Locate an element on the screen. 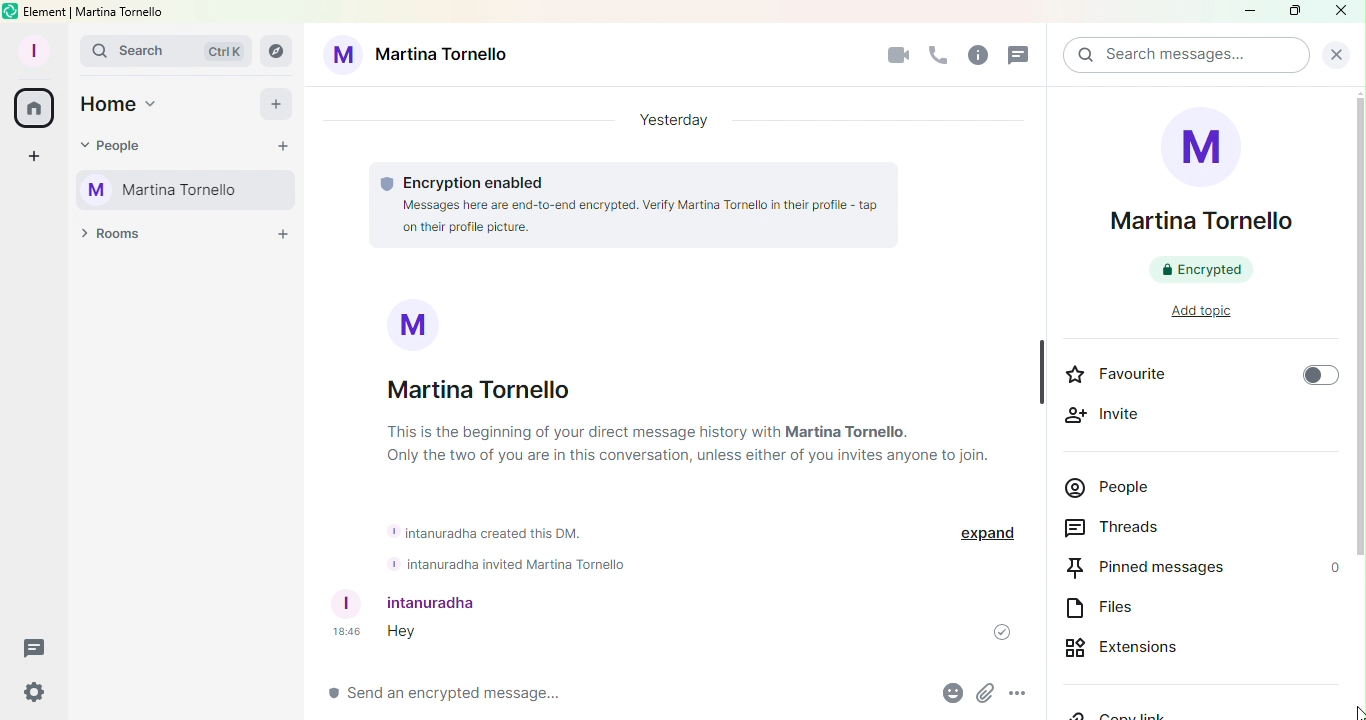  Threads is located at coordinates (39, 644).